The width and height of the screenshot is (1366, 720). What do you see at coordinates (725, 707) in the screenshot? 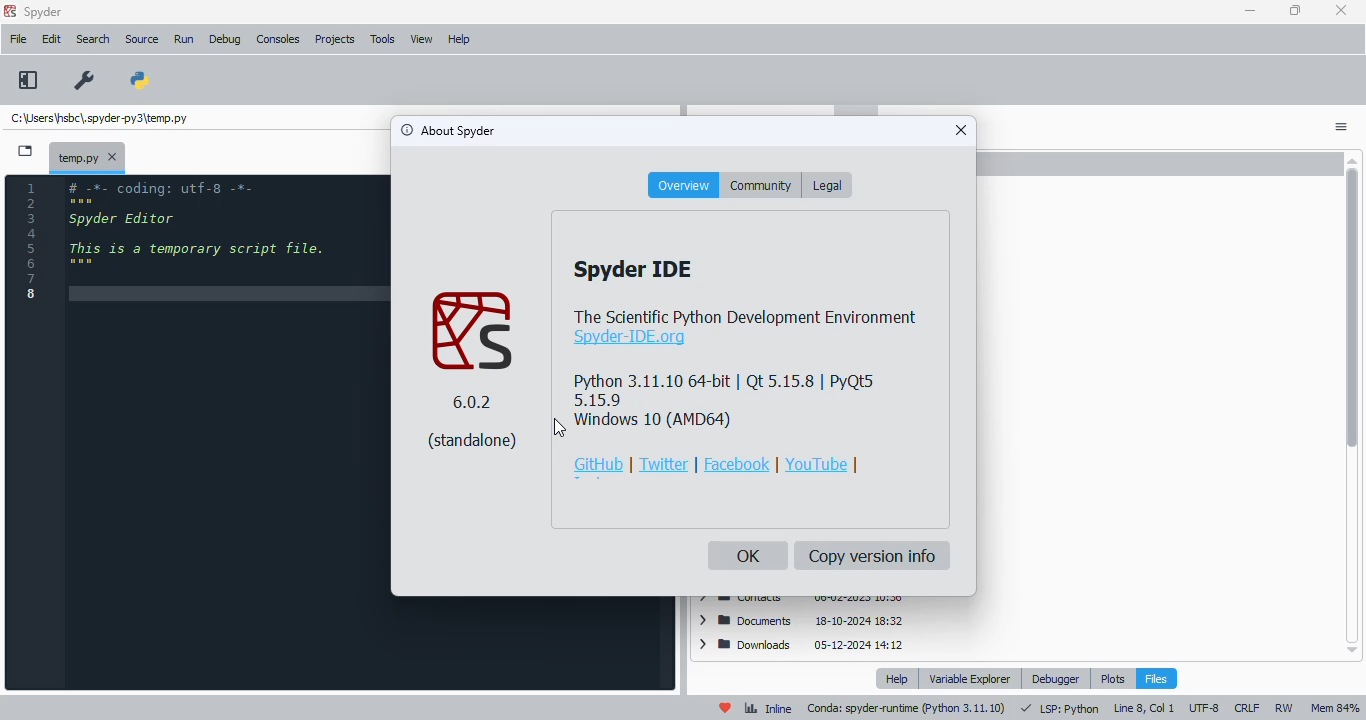
I see `help spyder!` at bounding box center [725, 707].